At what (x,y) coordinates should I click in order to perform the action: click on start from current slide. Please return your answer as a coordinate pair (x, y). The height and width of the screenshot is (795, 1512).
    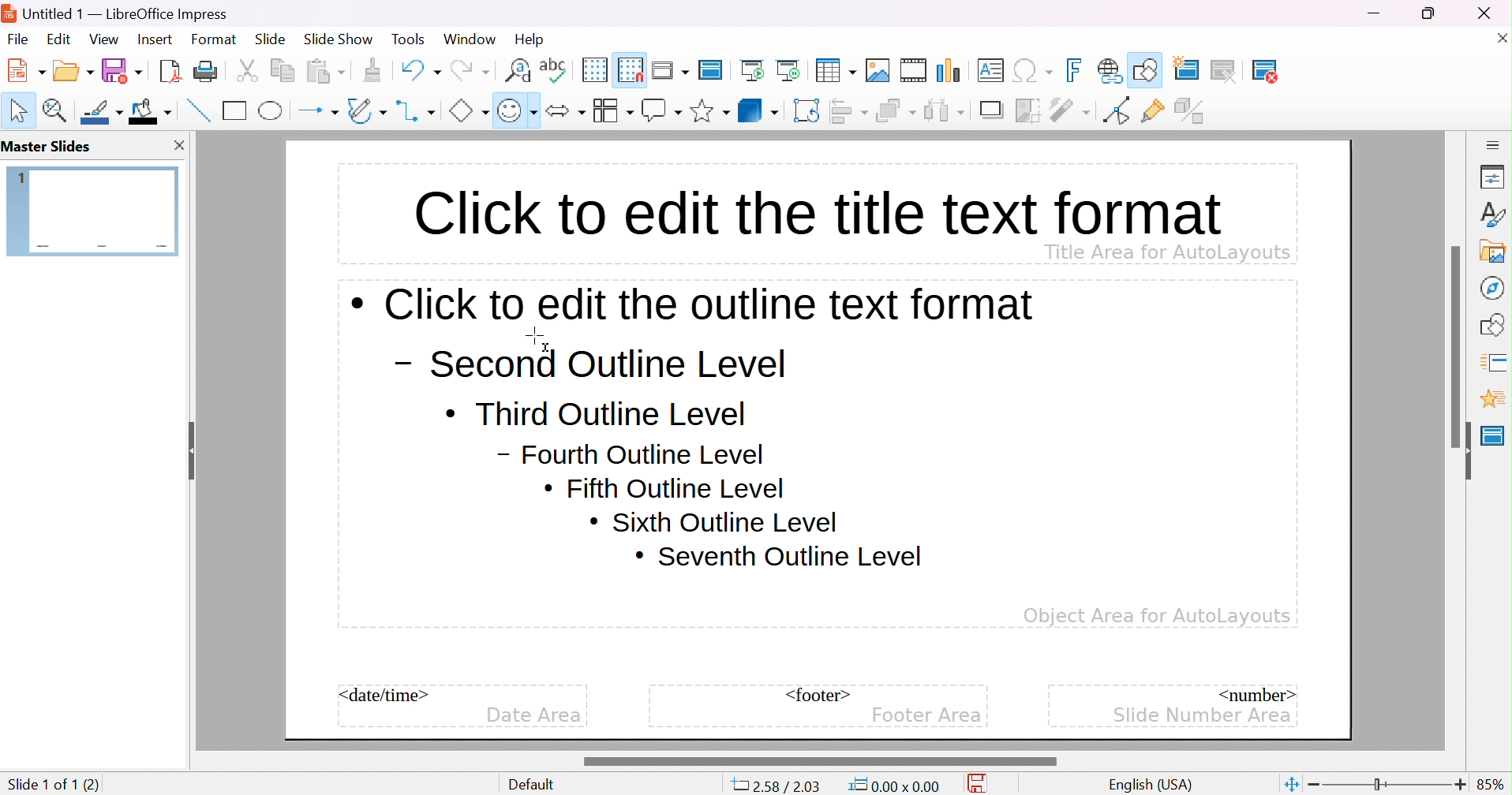
    Looking at the image, I should click on (792, 69).